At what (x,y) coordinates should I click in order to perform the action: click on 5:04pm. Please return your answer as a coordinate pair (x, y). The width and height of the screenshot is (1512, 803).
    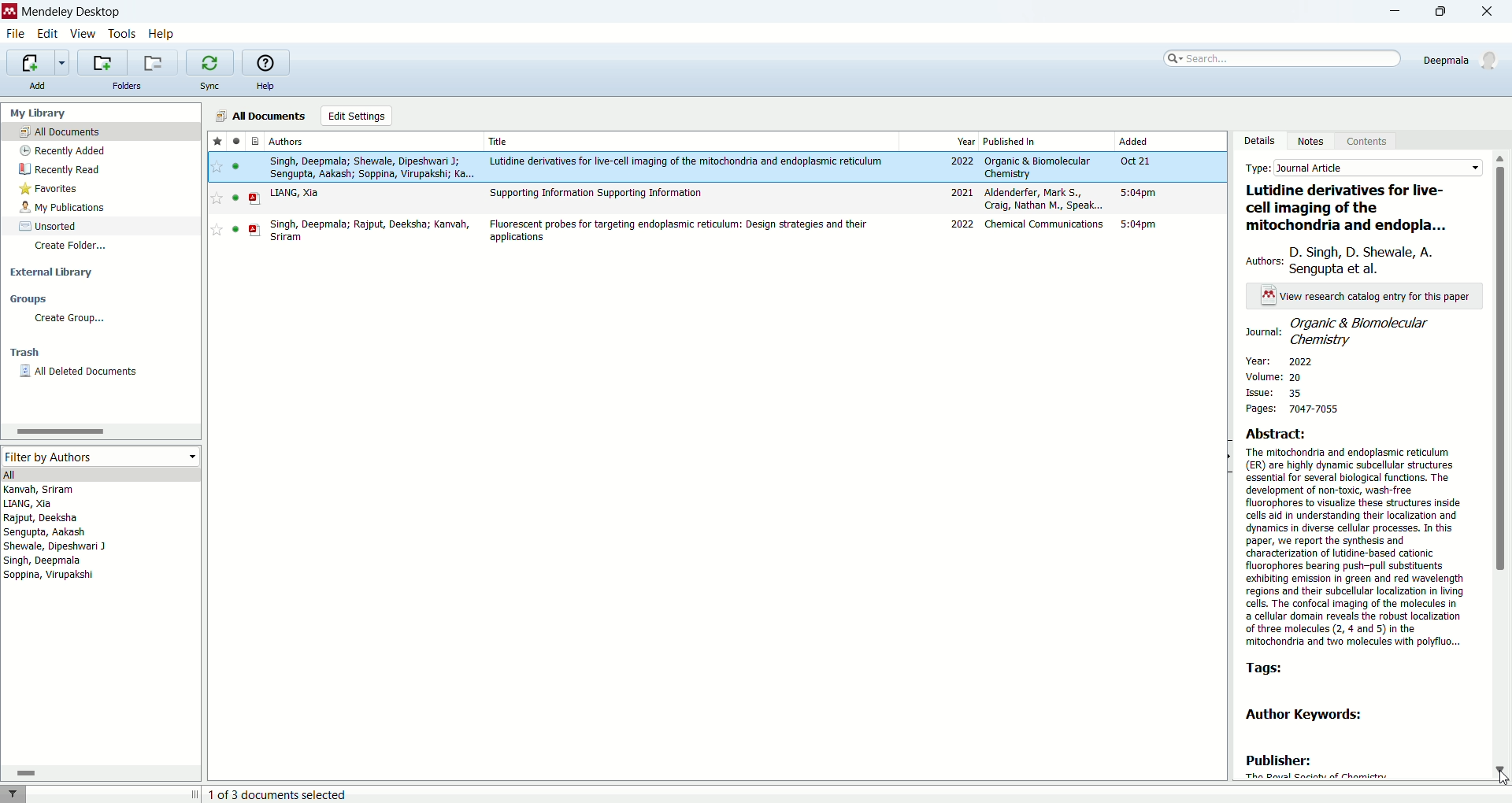
    Looking at the image, I should click on (1139, 192).